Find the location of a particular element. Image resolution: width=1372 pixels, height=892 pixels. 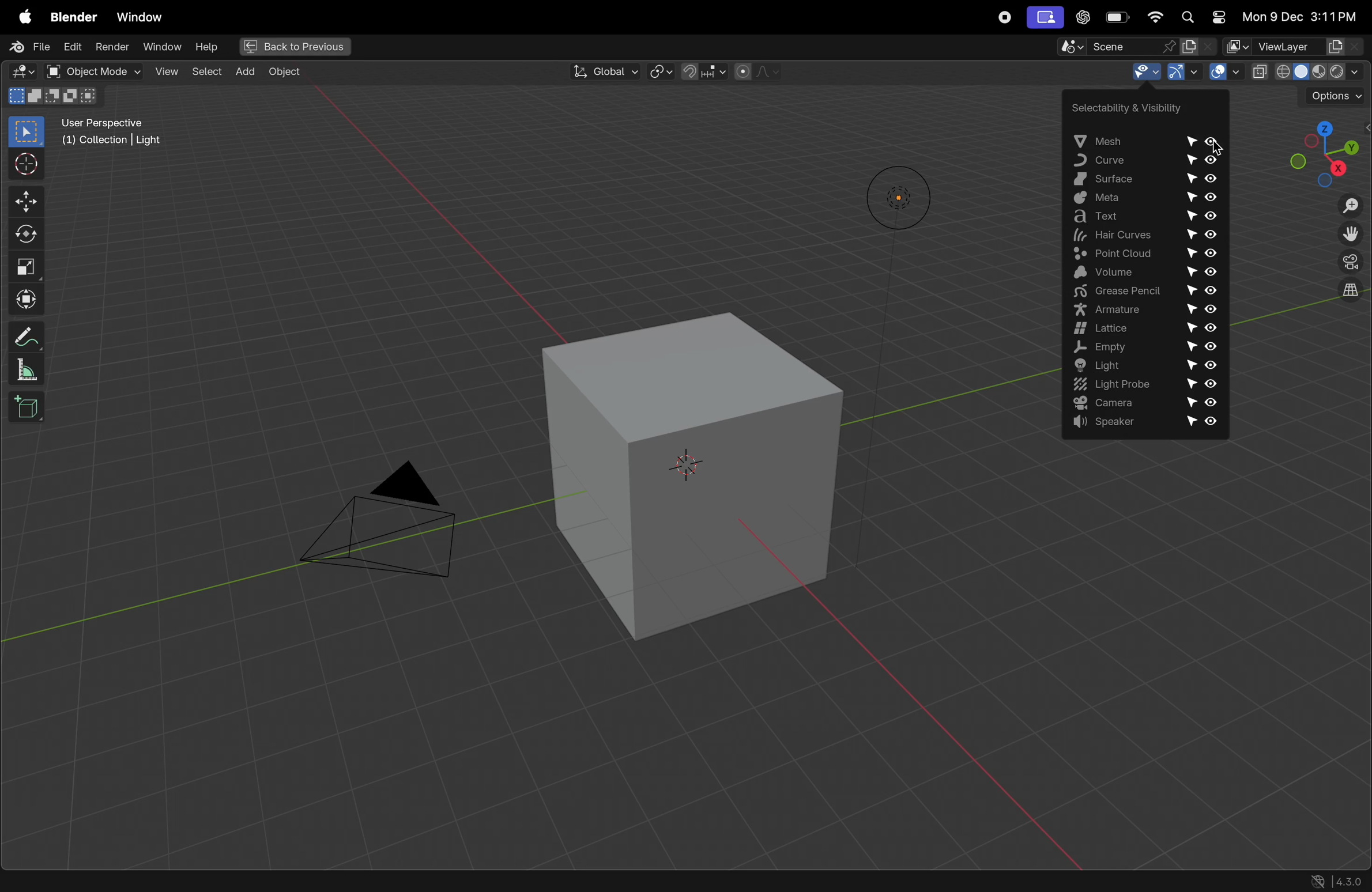

file is located at coordinates (27, 48).